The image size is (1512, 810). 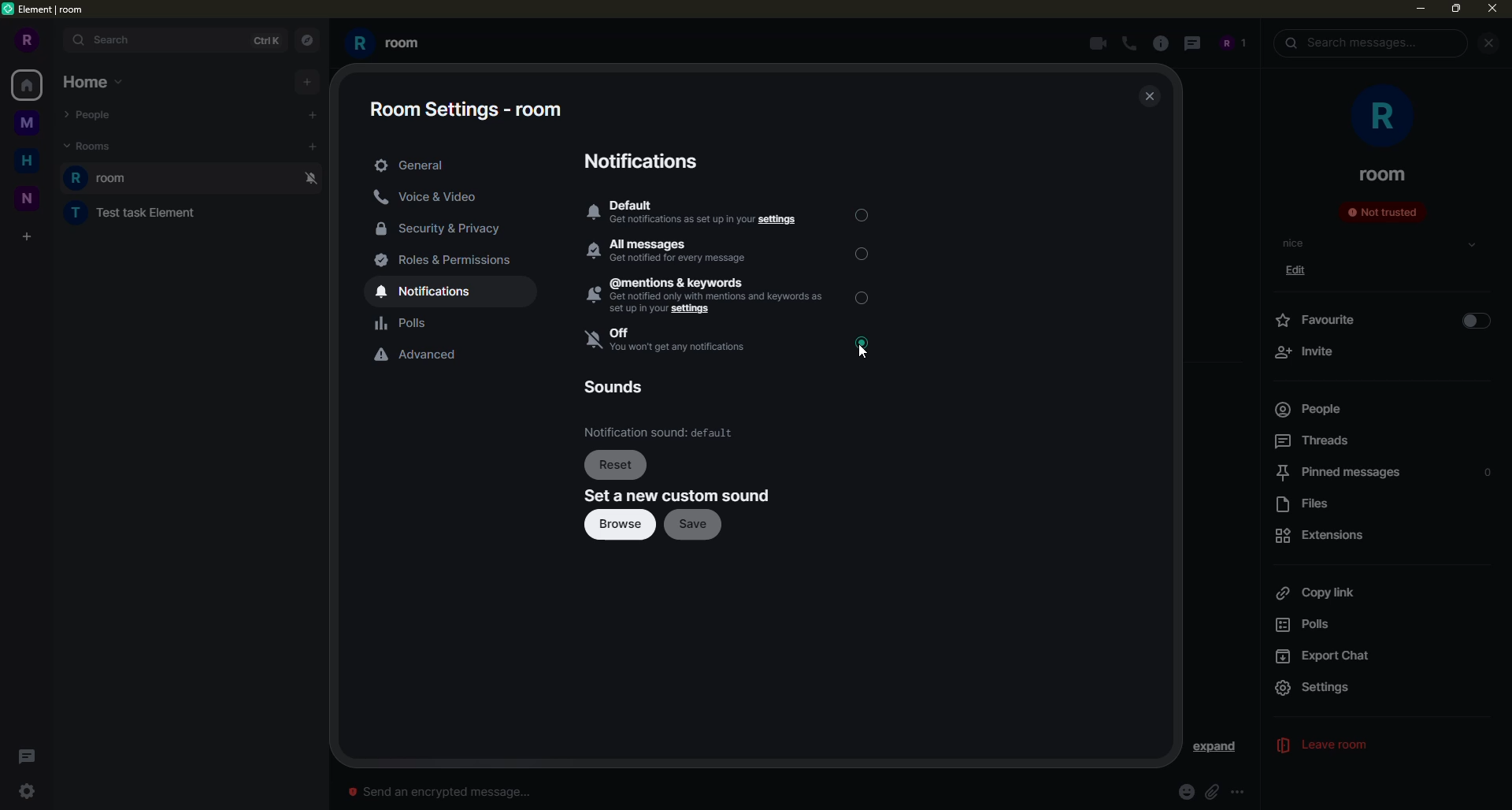 What do you see at coordinates (1488, 473) in the screenshot?
I see `0` at bounding box center [1488, 473].